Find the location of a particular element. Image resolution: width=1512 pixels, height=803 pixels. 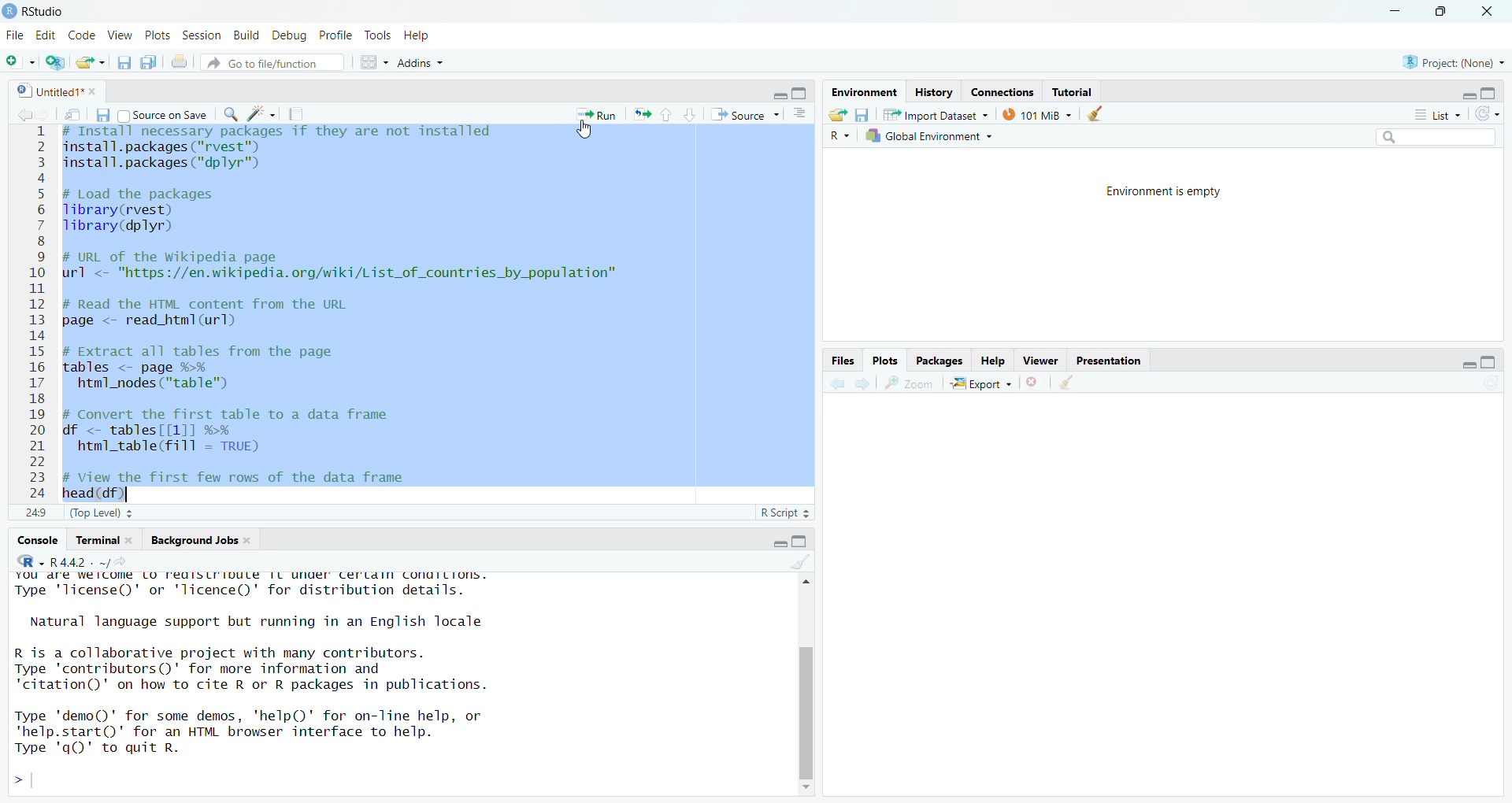

R is a collaborative project with many contributors.
Type 'contributors()' for more information and
"citation()' on how to cite R or R packages in publications. is located at coordinates (263, 671).